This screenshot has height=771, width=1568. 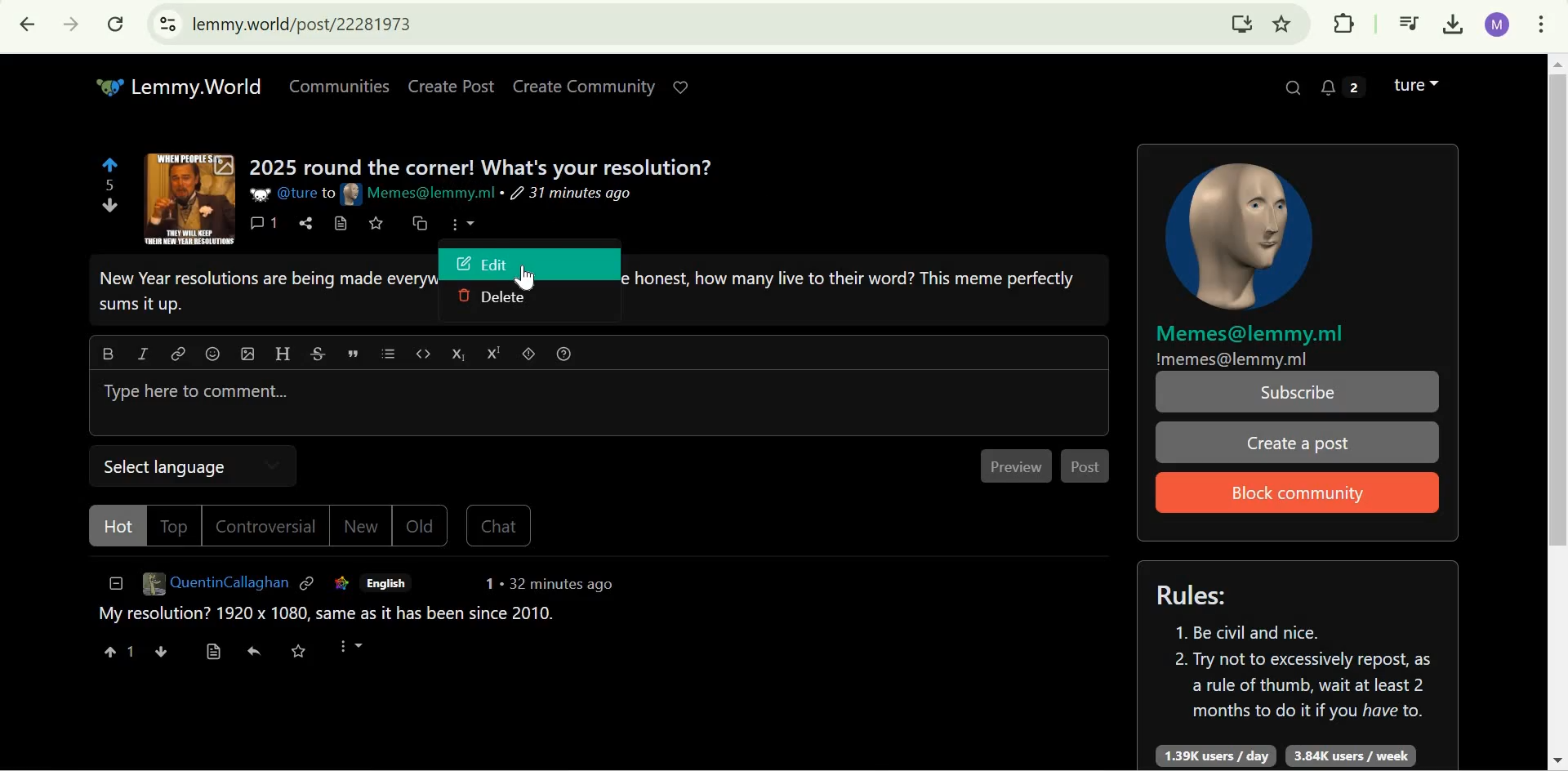 What do you see at coordinates (388, 352) in the screenshot?
I see `list` at bounding box center [388, 352].